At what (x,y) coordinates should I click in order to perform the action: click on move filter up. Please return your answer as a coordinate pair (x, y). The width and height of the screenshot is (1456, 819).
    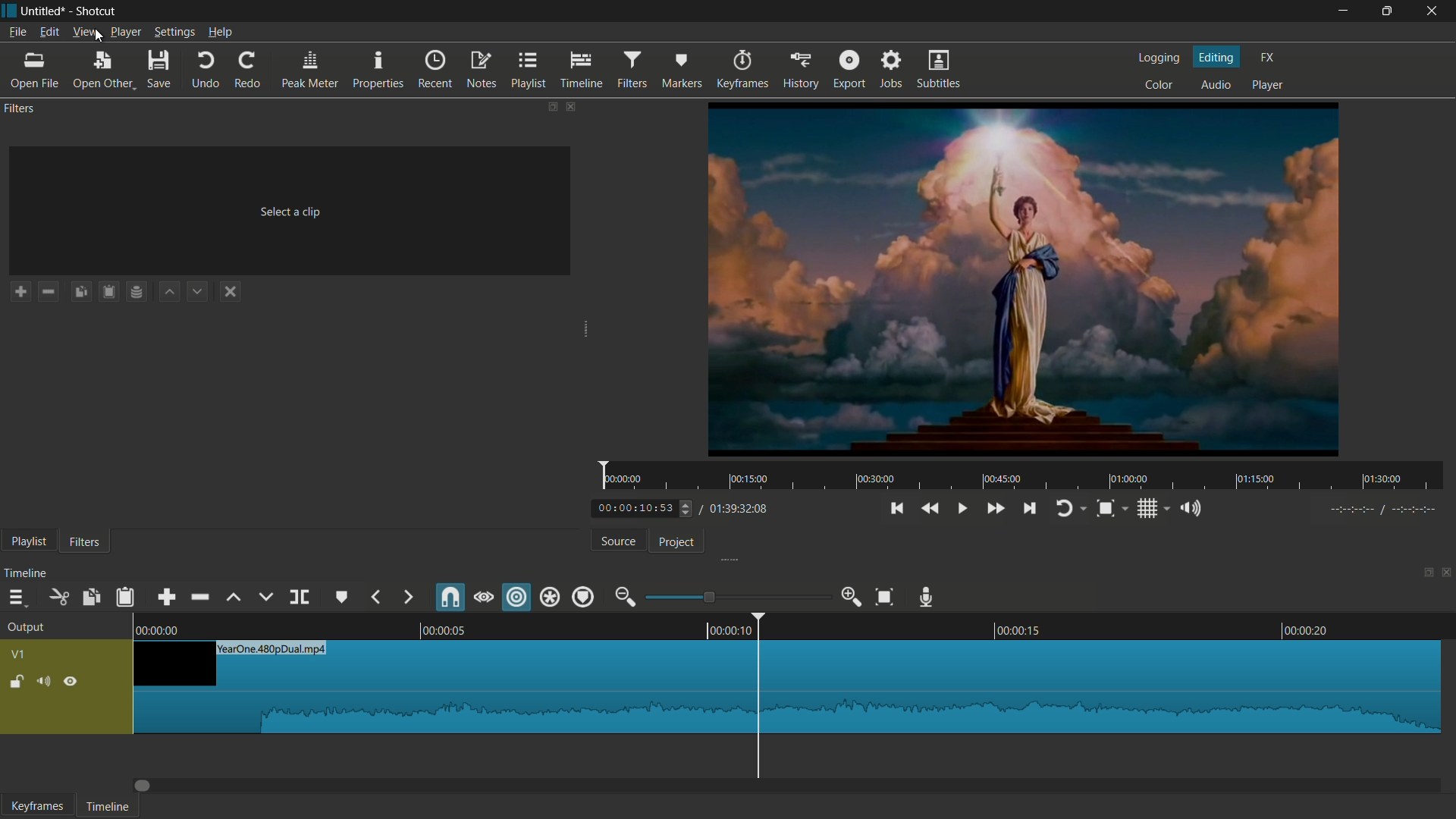
    Looking at the image, I should click on (169, 293).